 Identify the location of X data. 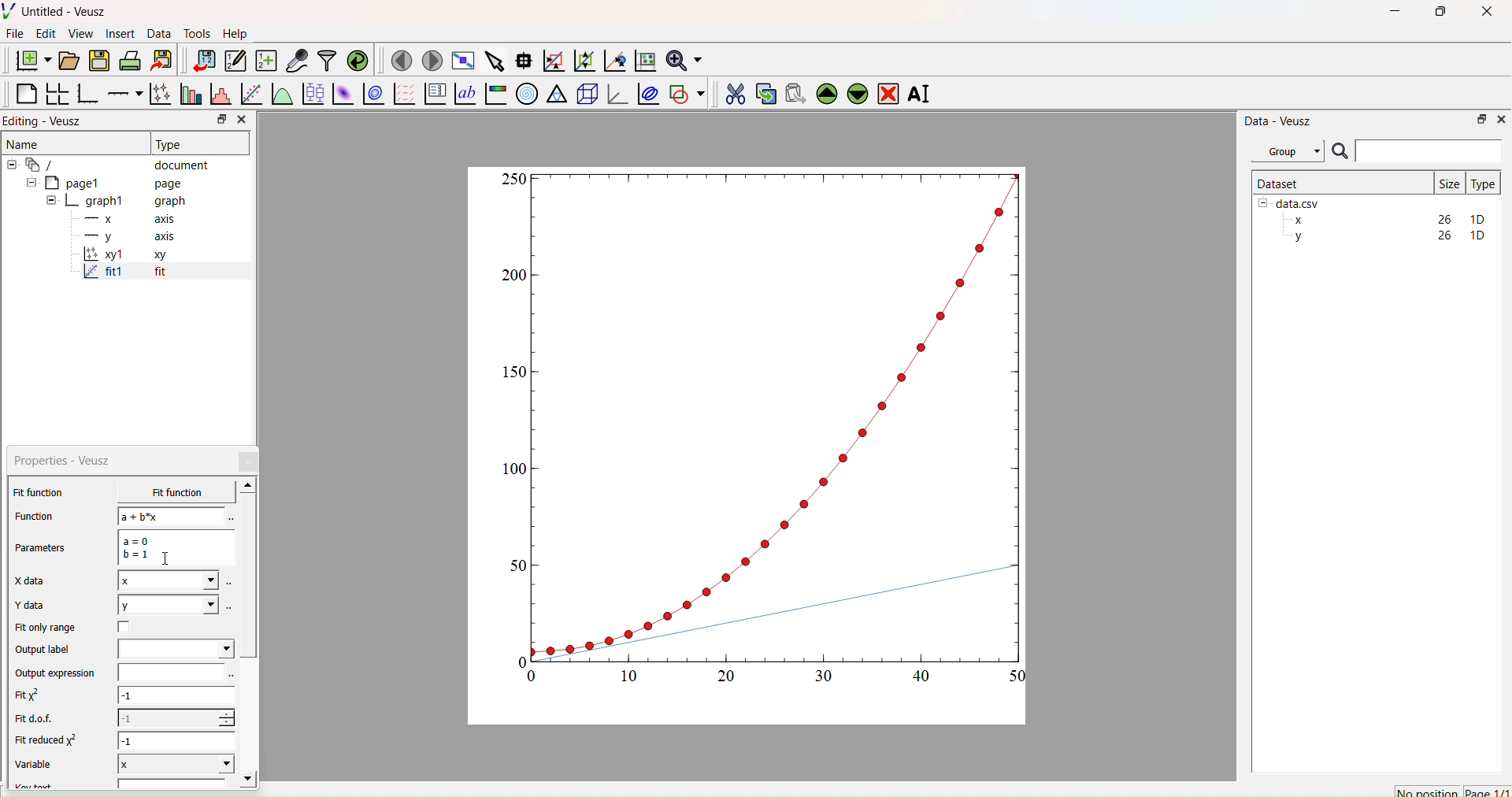
(31, 582).